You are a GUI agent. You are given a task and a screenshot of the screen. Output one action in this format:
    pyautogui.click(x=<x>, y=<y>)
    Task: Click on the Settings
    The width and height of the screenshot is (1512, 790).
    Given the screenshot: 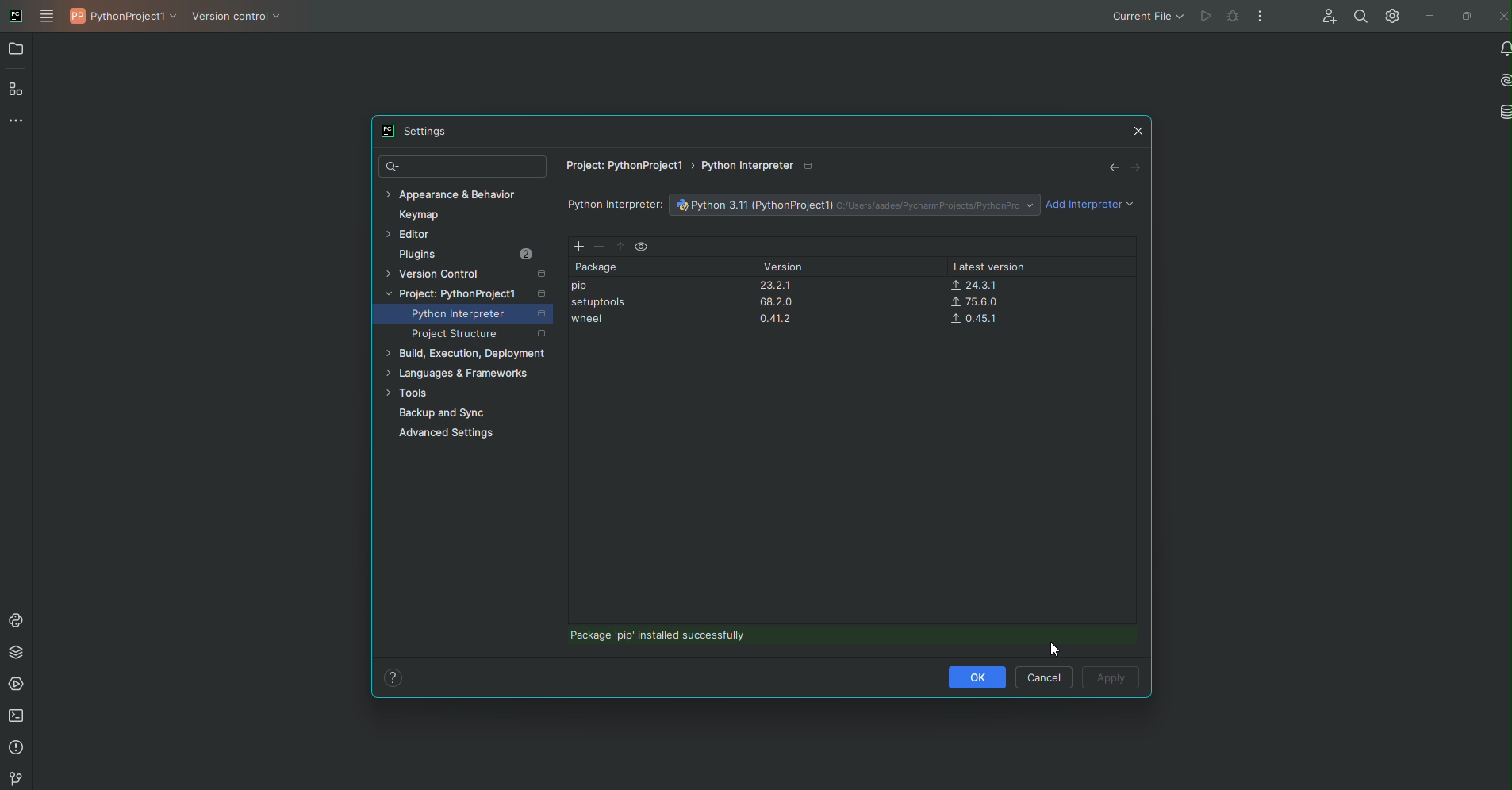 What is the action you would take?
    pyautogui.click(x=1391, y=17)
    